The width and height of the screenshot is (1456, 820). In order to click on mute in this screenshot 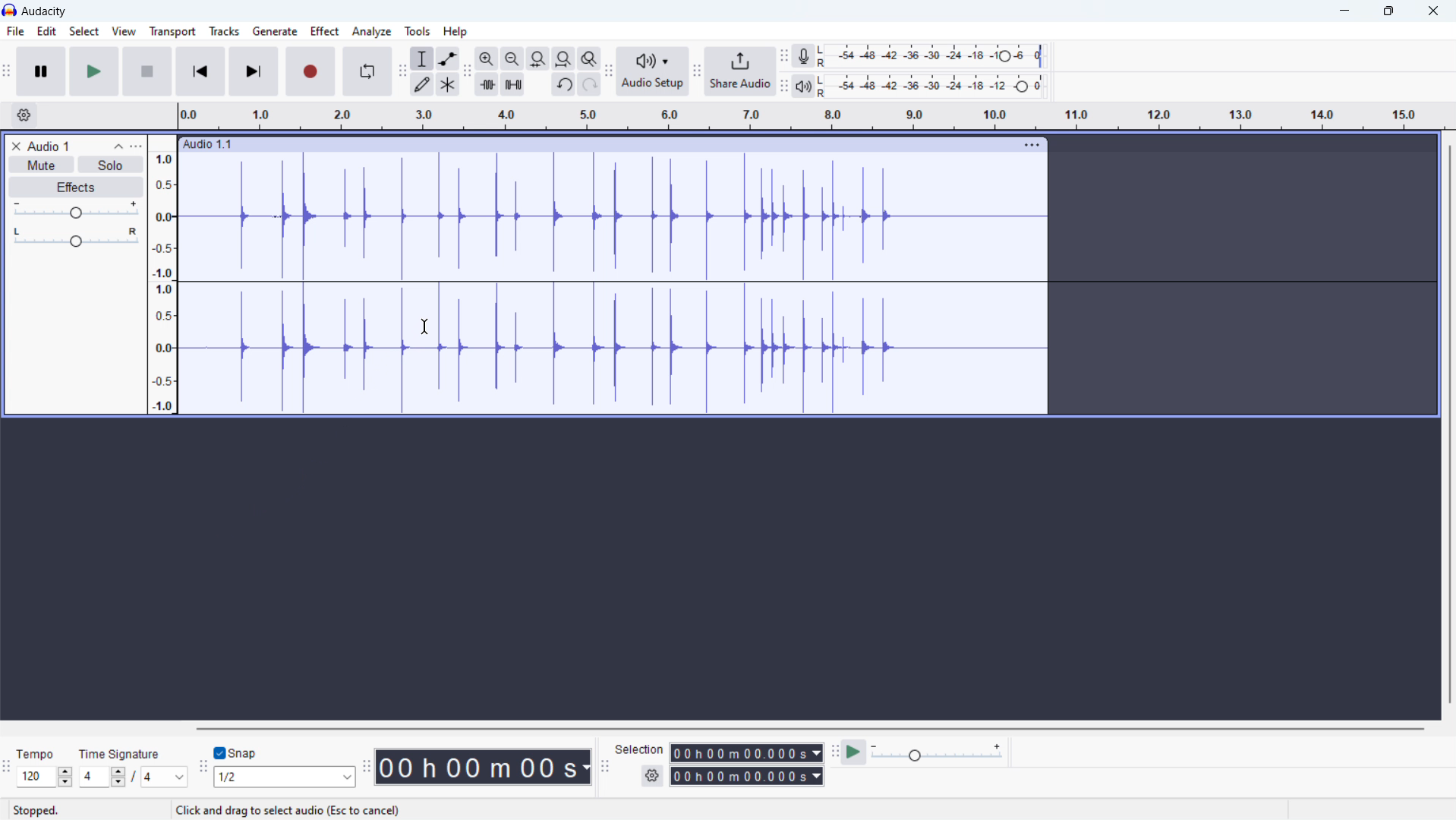, I will do `click(41, 165)`.